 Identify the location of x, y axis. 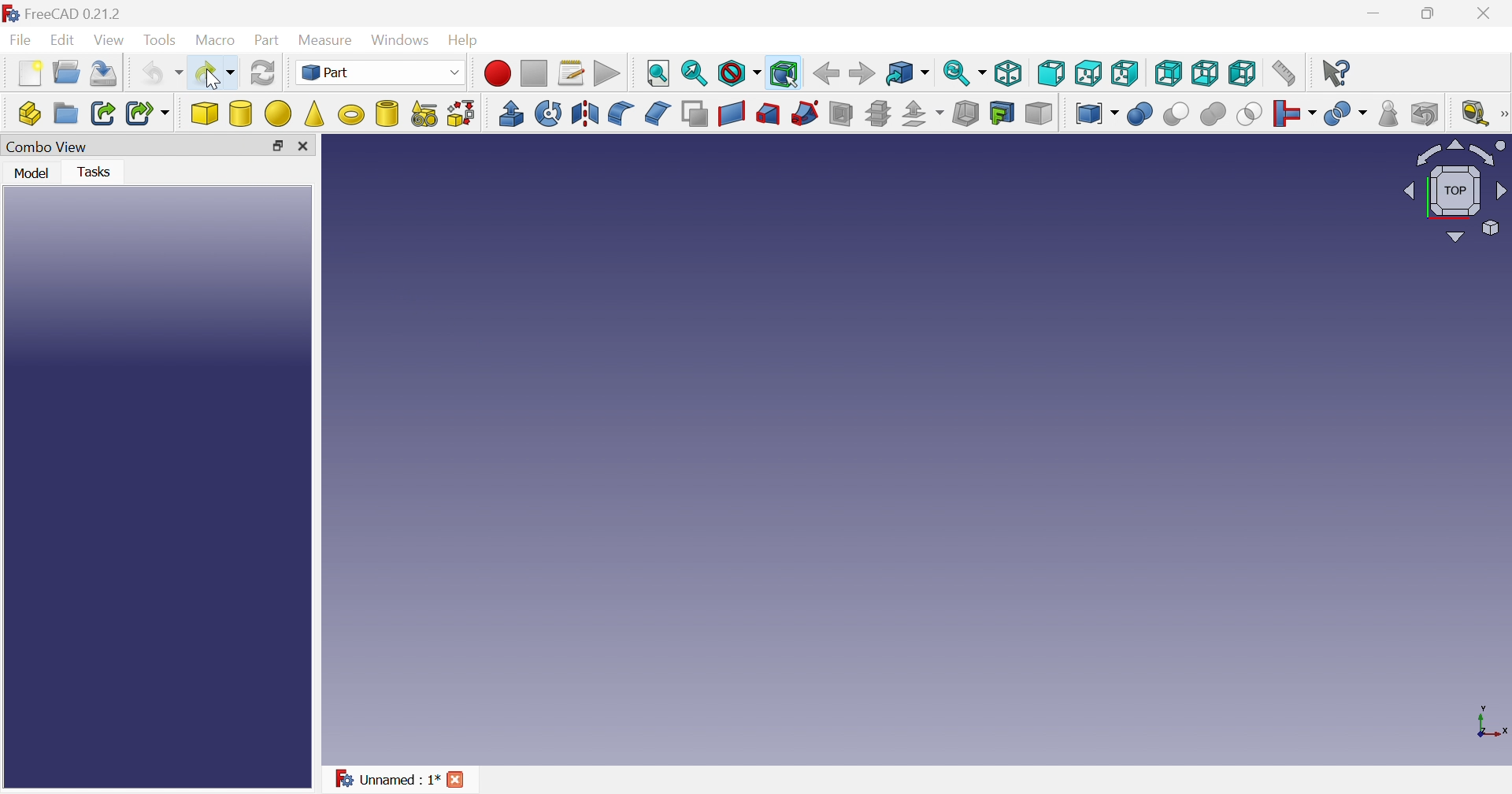
(1490, 720).